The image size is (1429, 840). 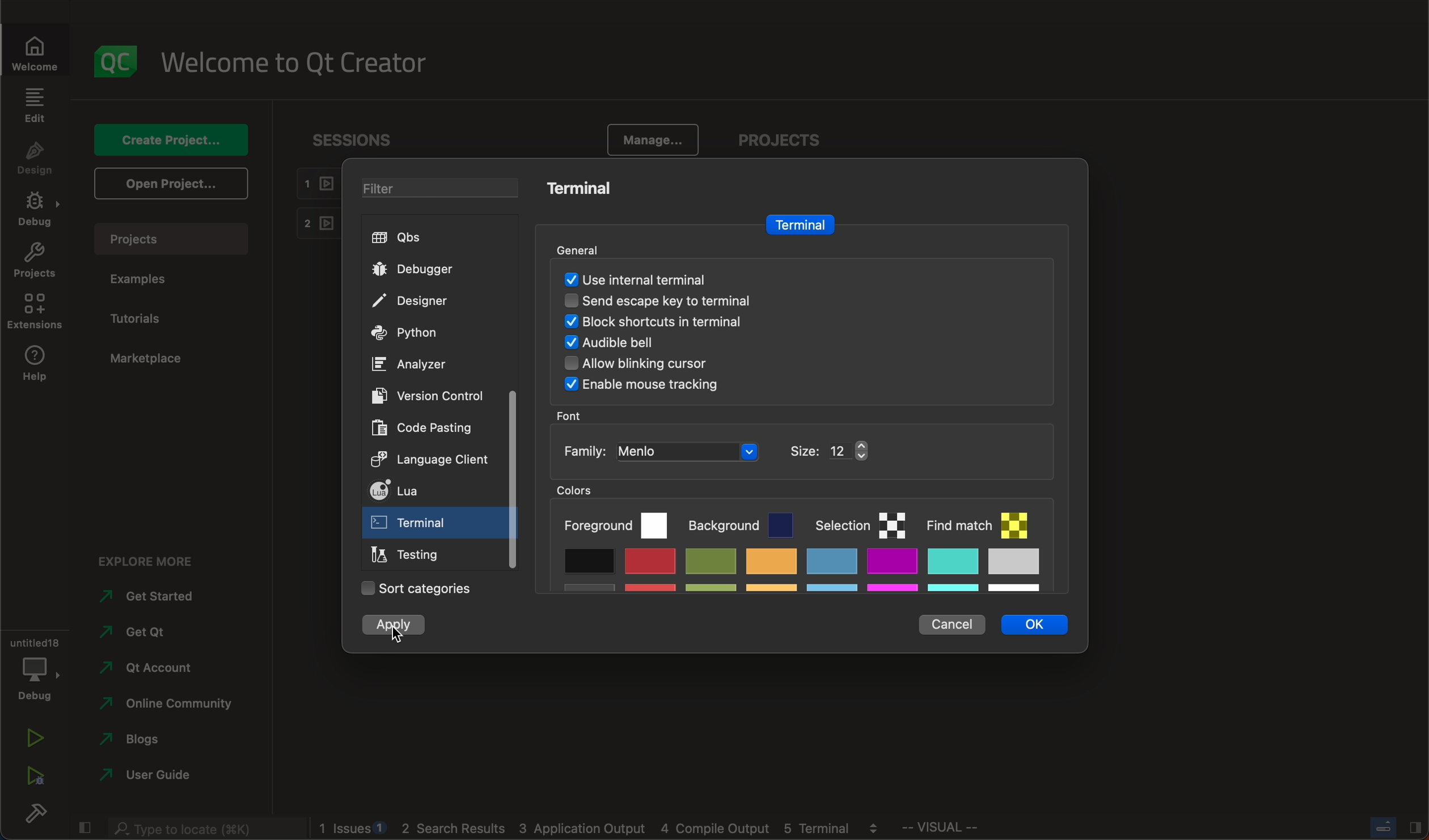 I want to click on on click , so click(x=414, y=526).